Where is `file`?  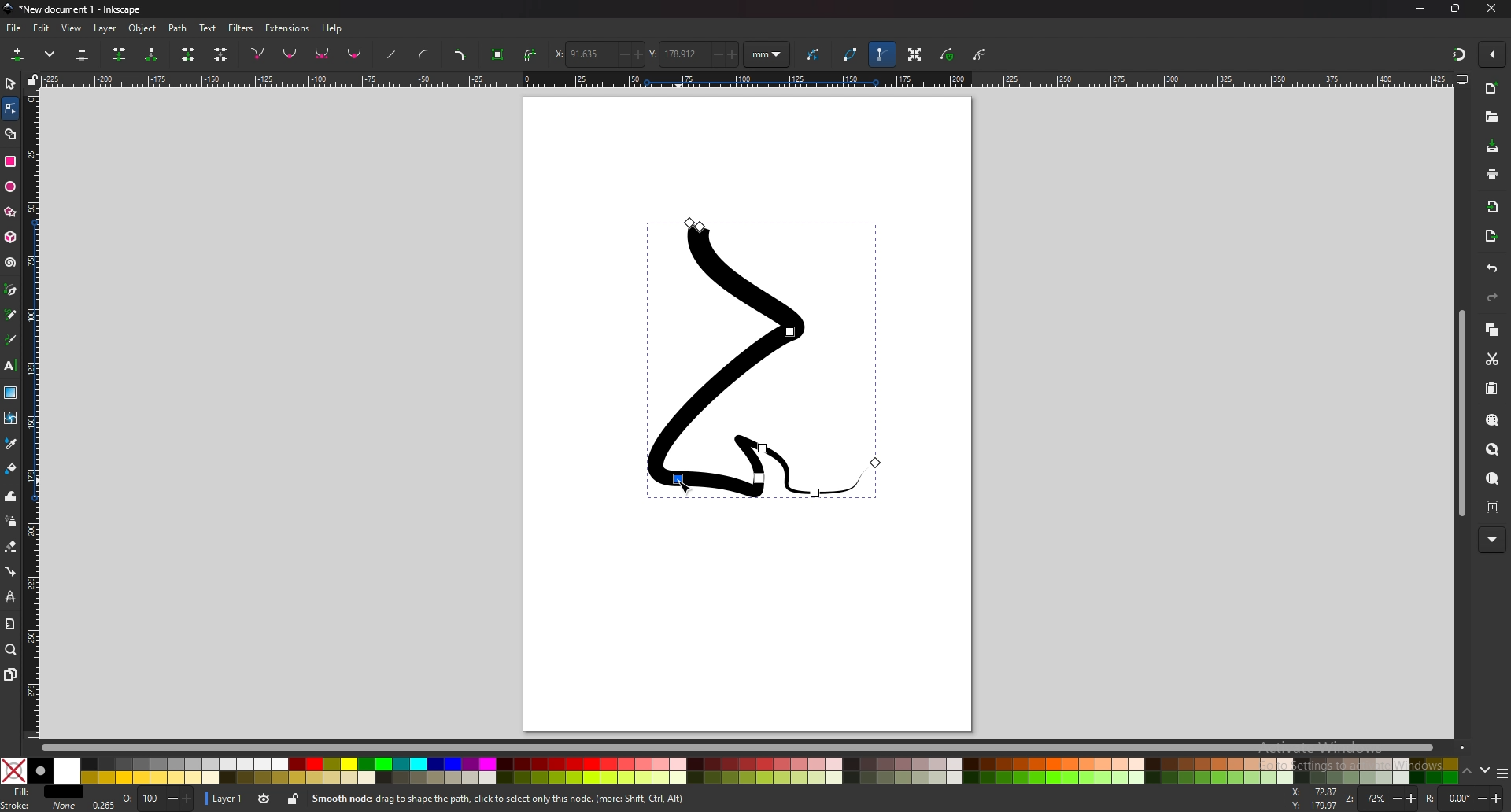
file is located at coordinates (16, 28).